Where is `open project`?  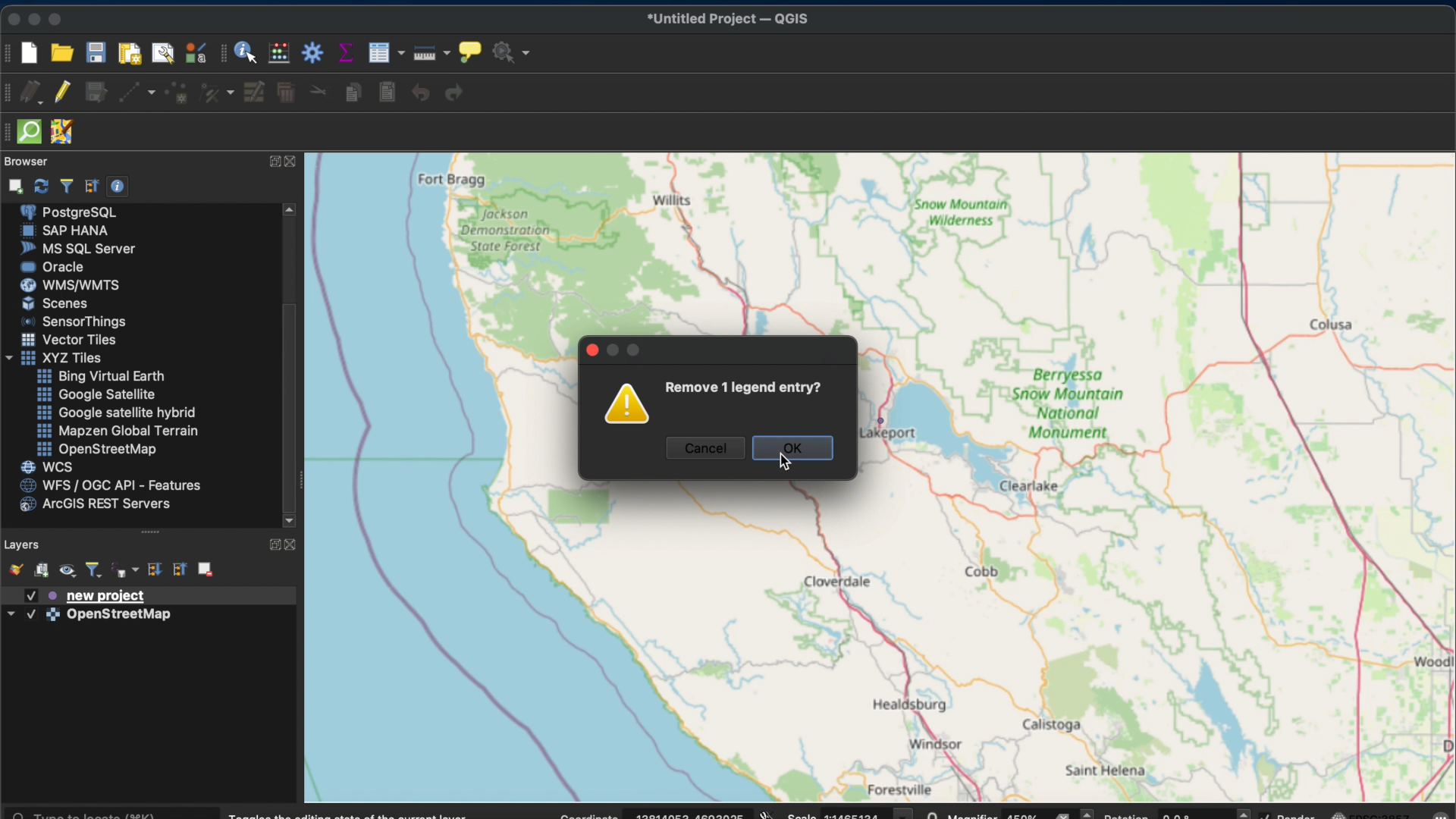
open project is located at coordinates (61, 52).